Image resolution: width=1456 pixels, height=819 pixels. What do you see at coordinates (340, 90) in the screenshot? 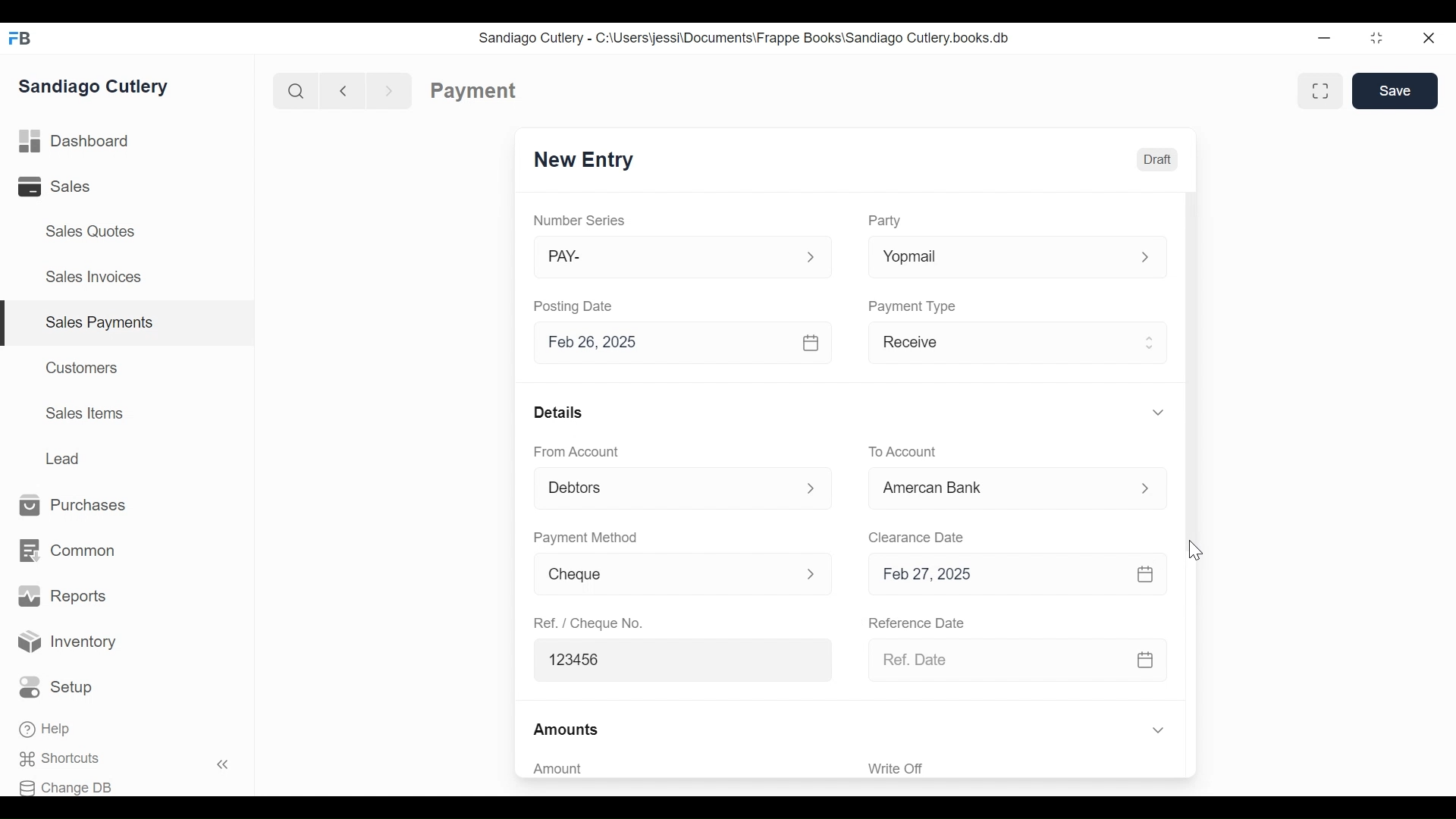
I see `Navigate Back` at bounding box center [340, 90].